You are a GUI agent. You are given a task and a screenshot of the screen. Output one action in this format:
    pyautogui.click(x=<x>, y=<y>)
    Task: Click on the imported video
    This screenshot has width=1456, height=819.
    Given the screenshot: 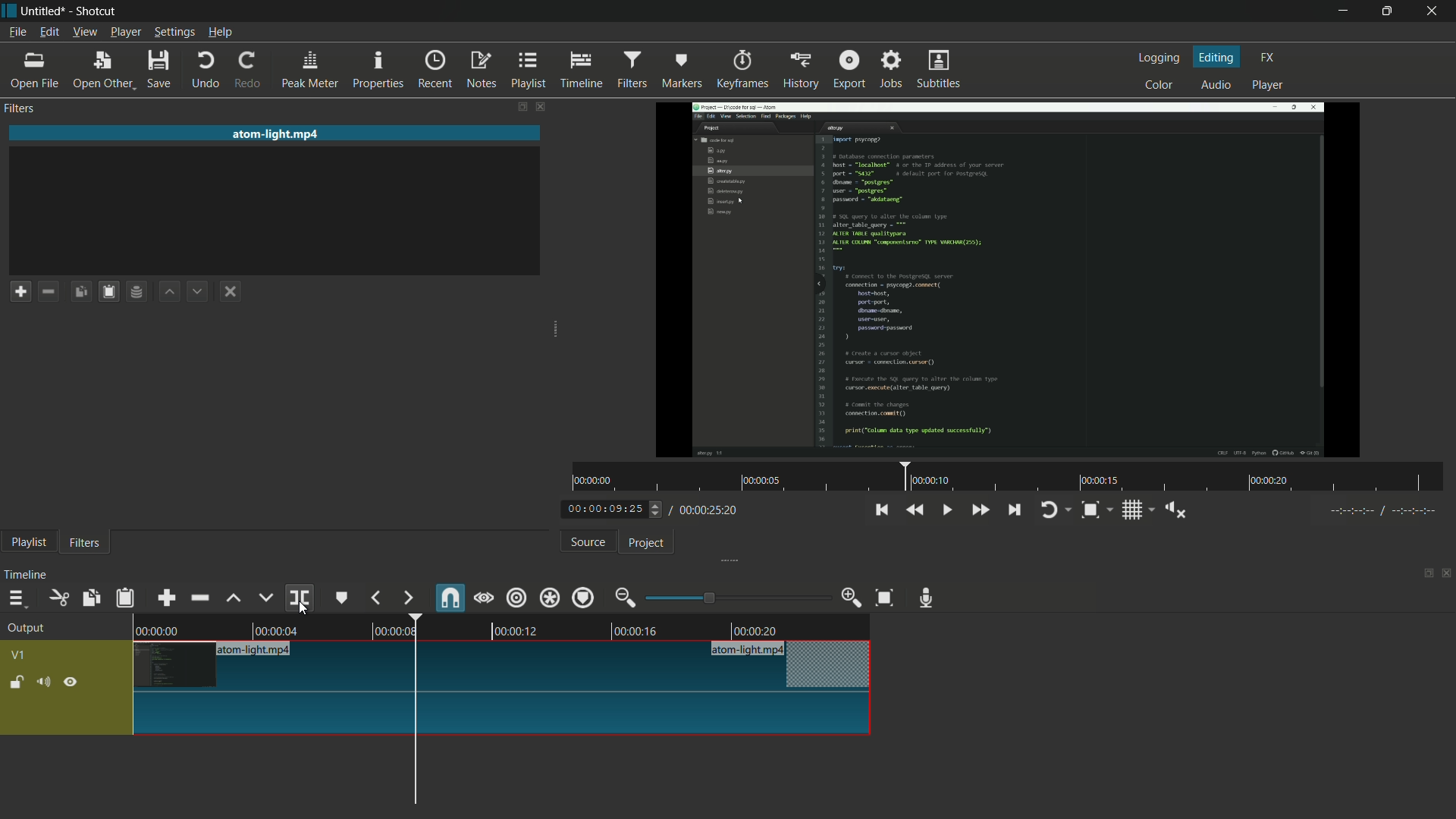 What is the action you would take?
    pyautogui.click(x=1012, y=280)
    